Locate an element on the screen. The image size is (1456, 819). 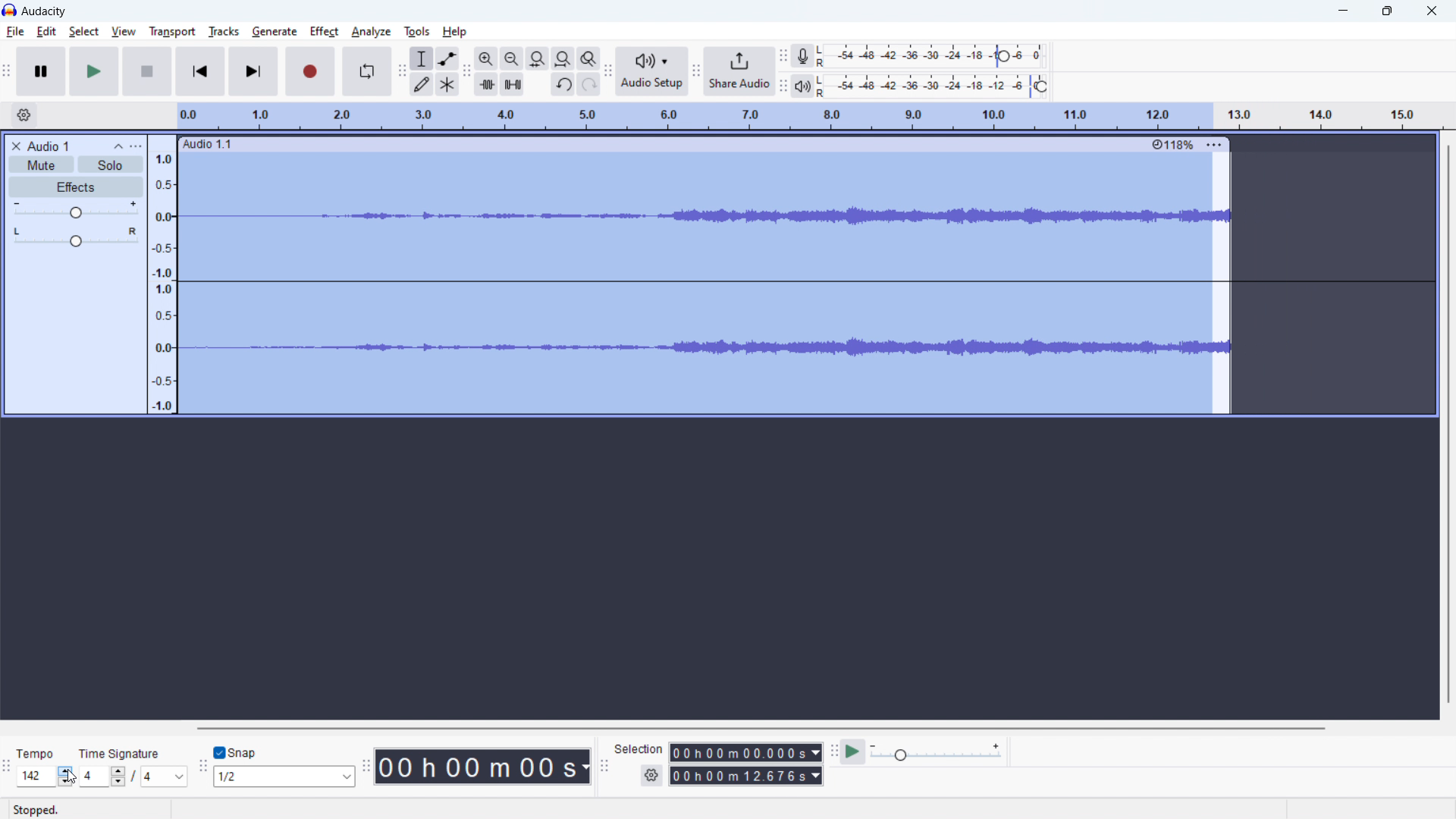
Tempo is located at coordinates (38, 752).